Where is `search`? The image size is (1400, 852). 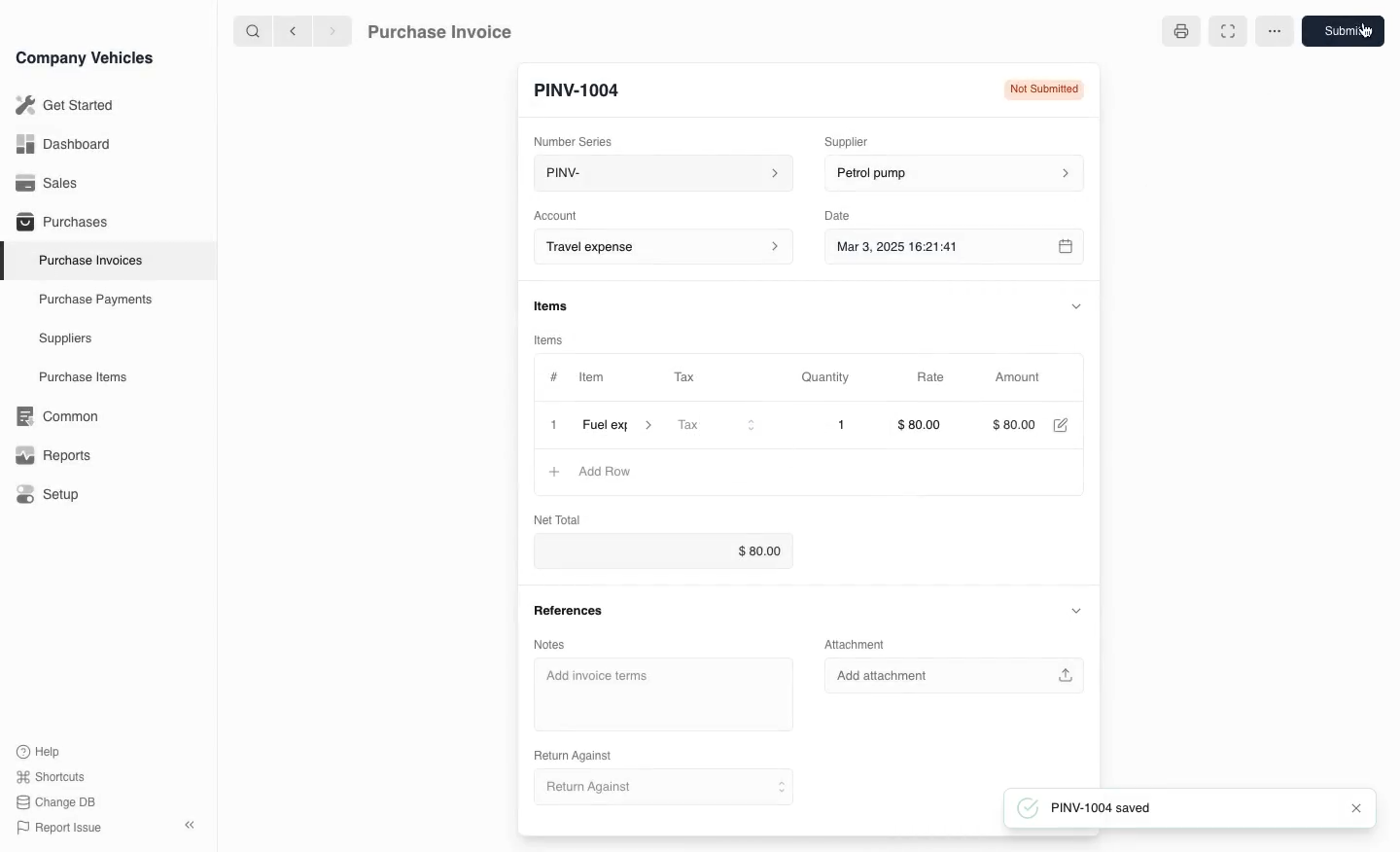 search is located at coordinates (254, 30).